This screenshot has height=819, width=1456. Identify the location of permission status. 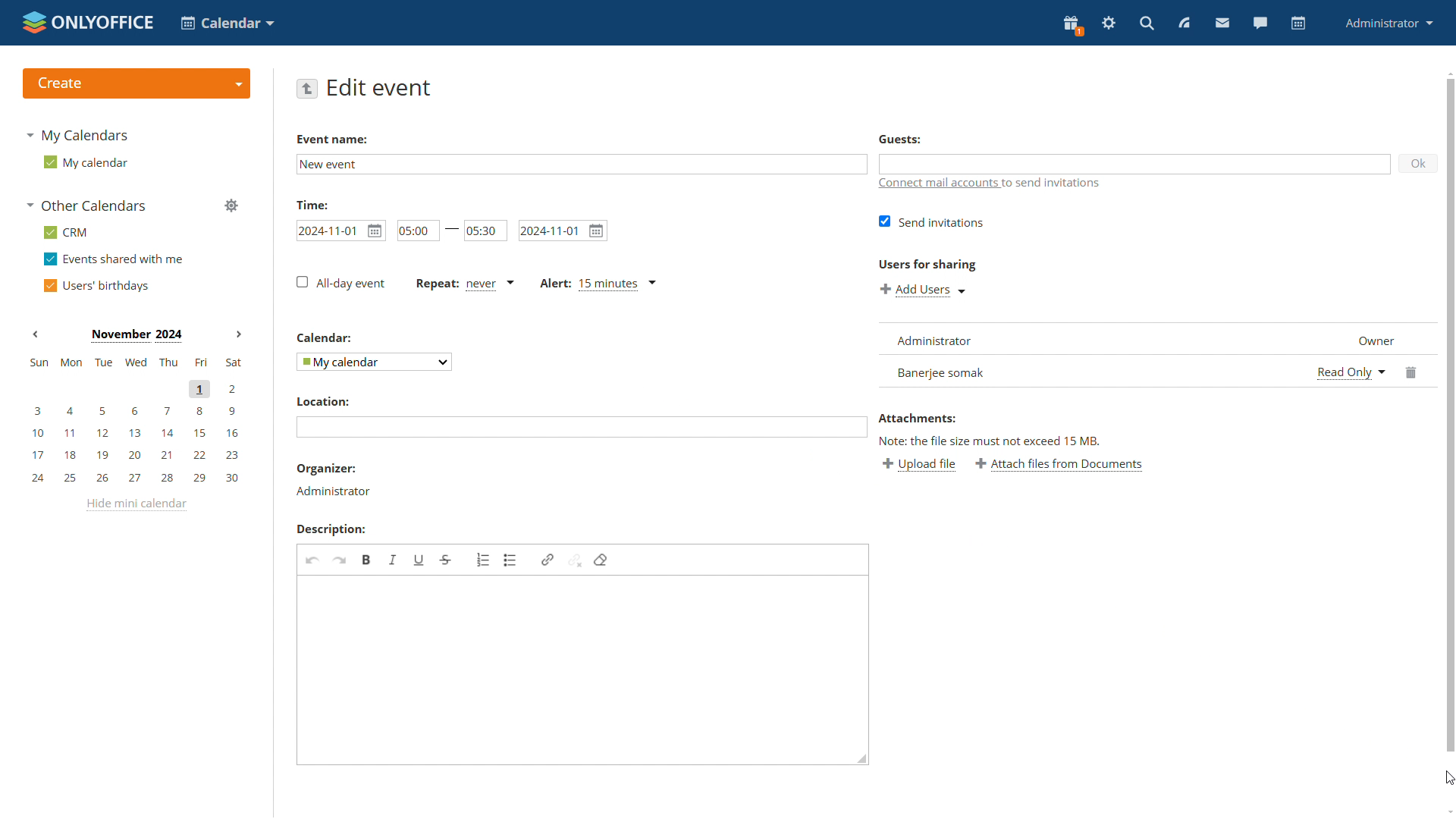
(1351, 371).